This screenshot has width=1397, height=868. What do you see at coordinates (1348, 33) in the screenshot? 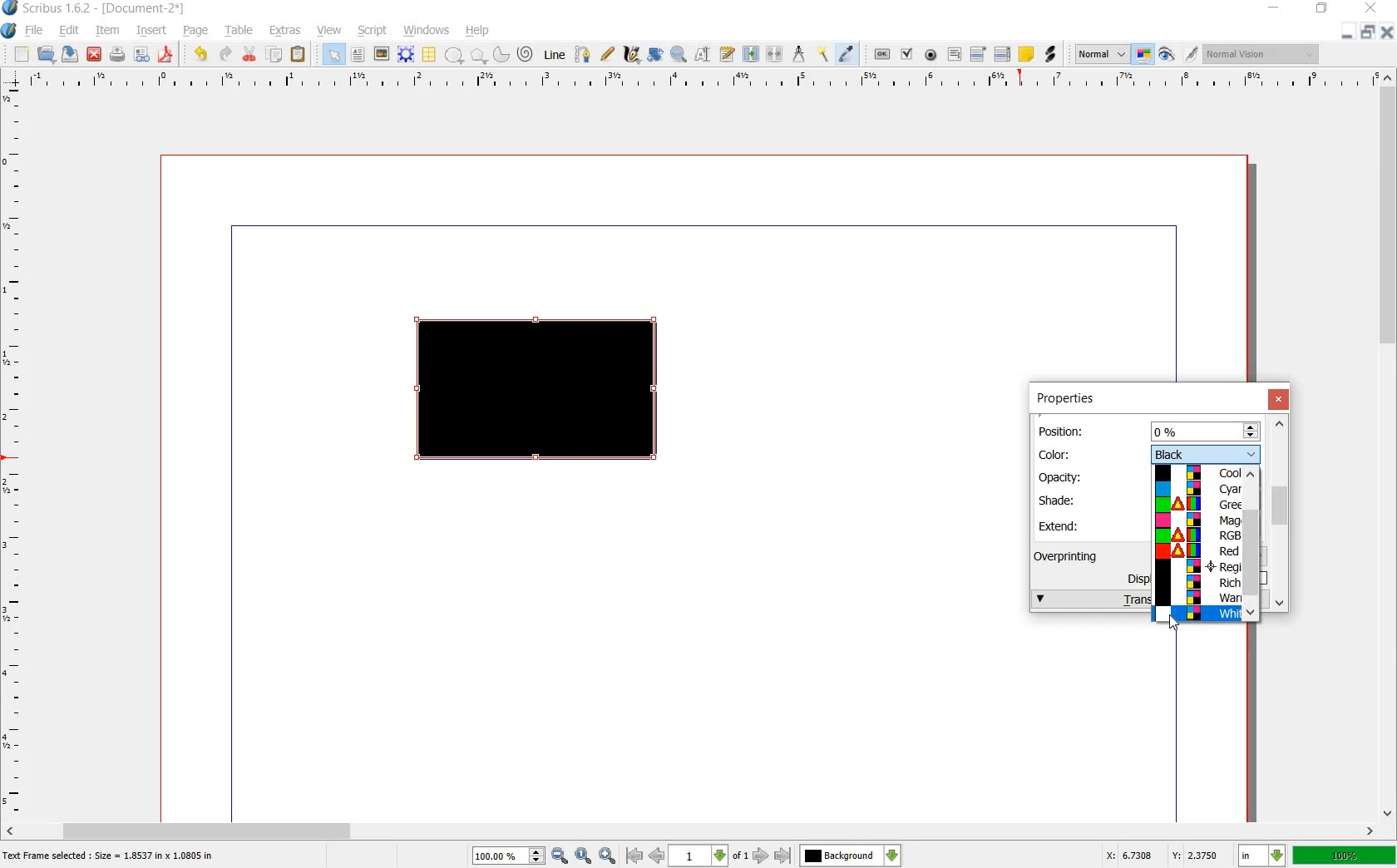
I see `minimize` at bounding box center [1348, 33].